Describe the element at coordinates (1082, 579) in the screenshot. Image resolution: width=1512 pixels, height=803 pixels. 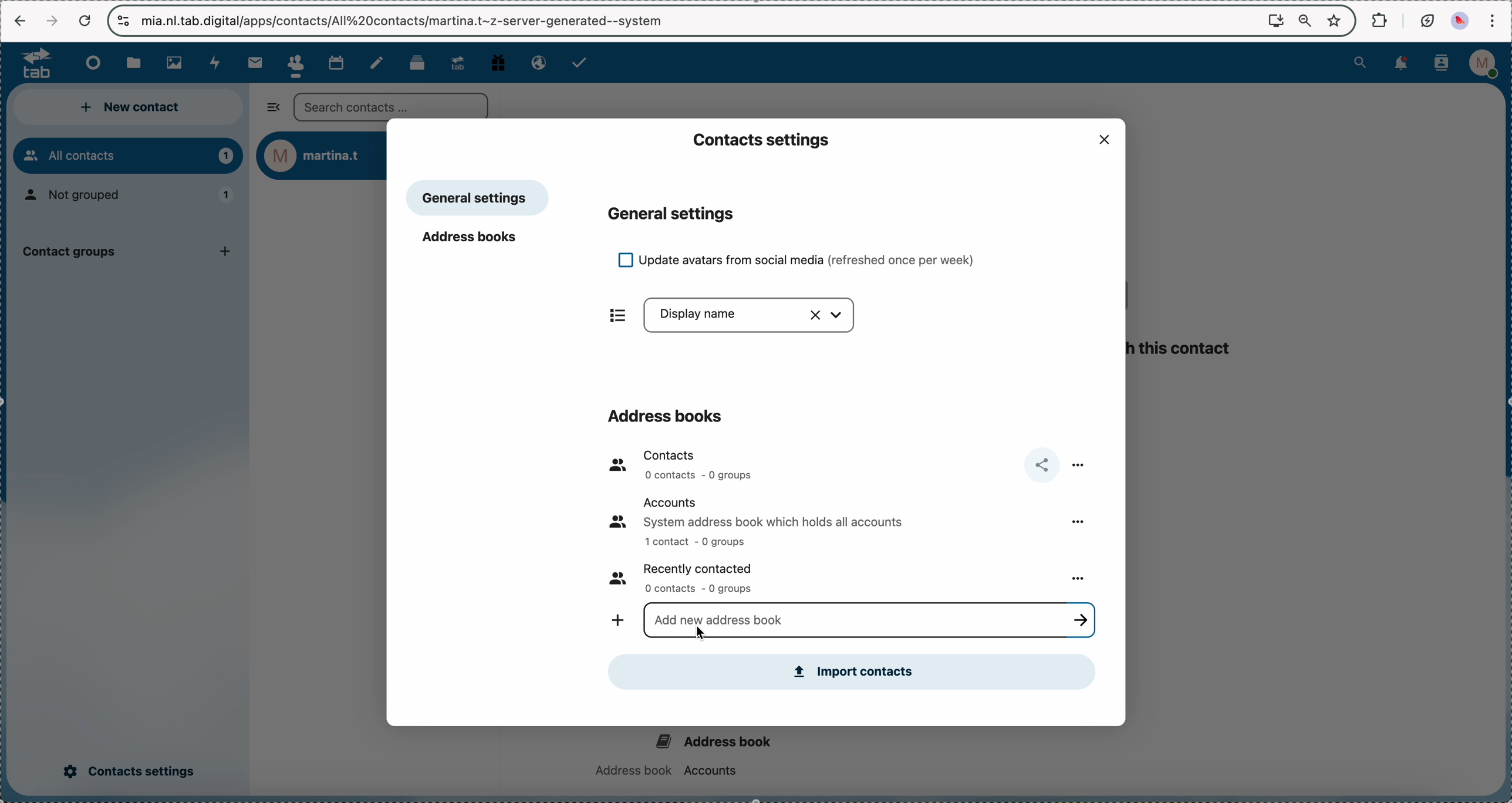
I see `more options` at that location.